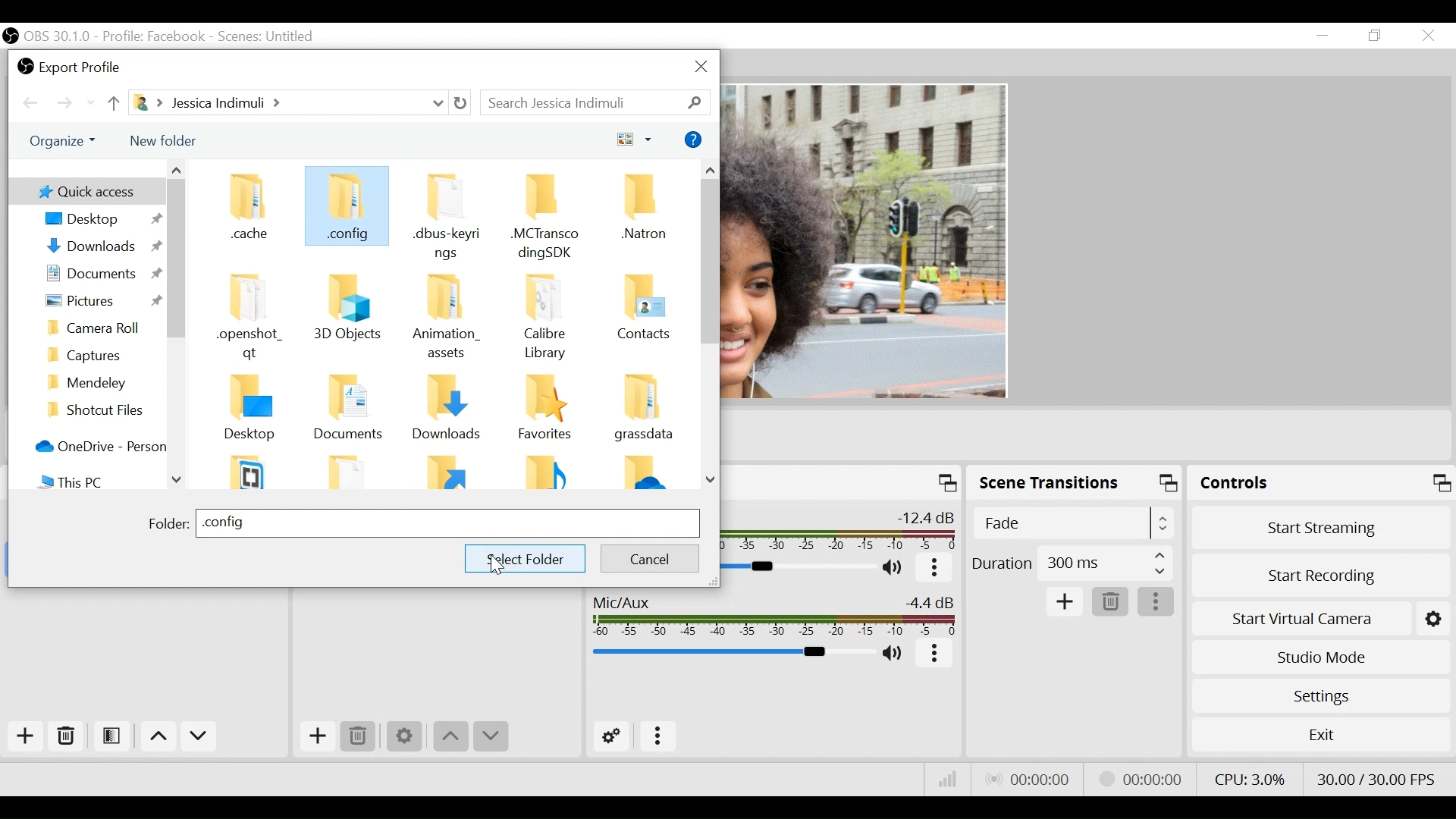 This screenshot has height=819, width=1456. What do you see at coordinates (595, 101) in the screenshot?
I see `Search` at bounding box center [595, 101].